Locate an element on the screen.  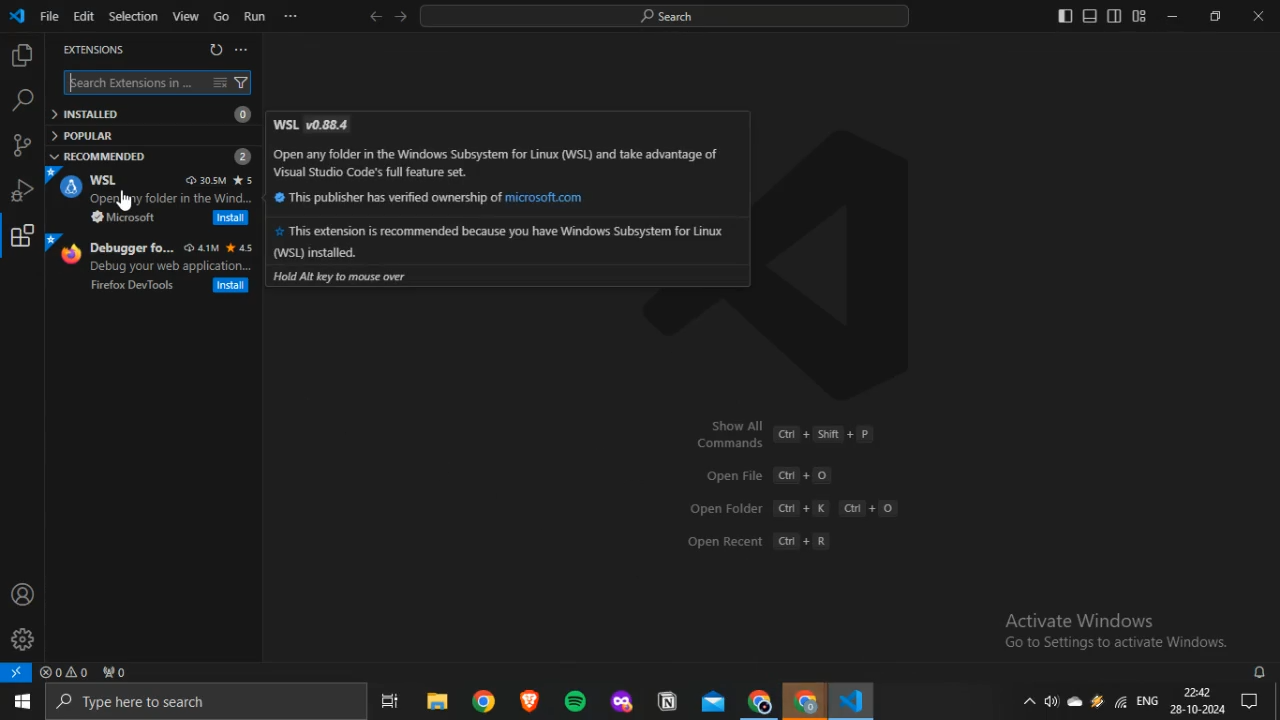
POPULAR is located at coordinates (88, 135).